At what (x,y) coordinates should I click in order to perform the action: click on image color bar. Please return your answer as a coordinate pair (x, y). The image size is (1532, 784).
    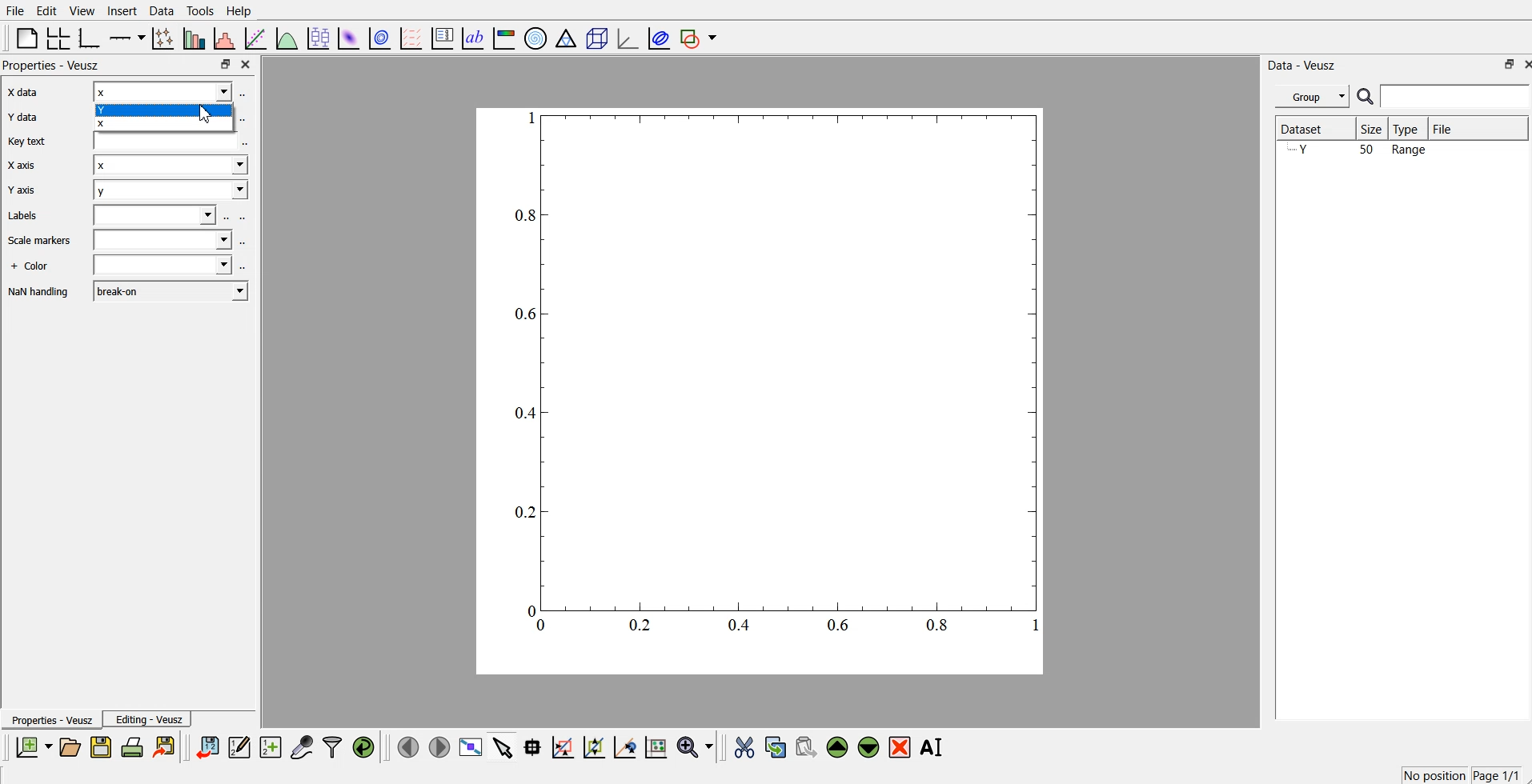
    Looking at the image, I should click on (503, 37).